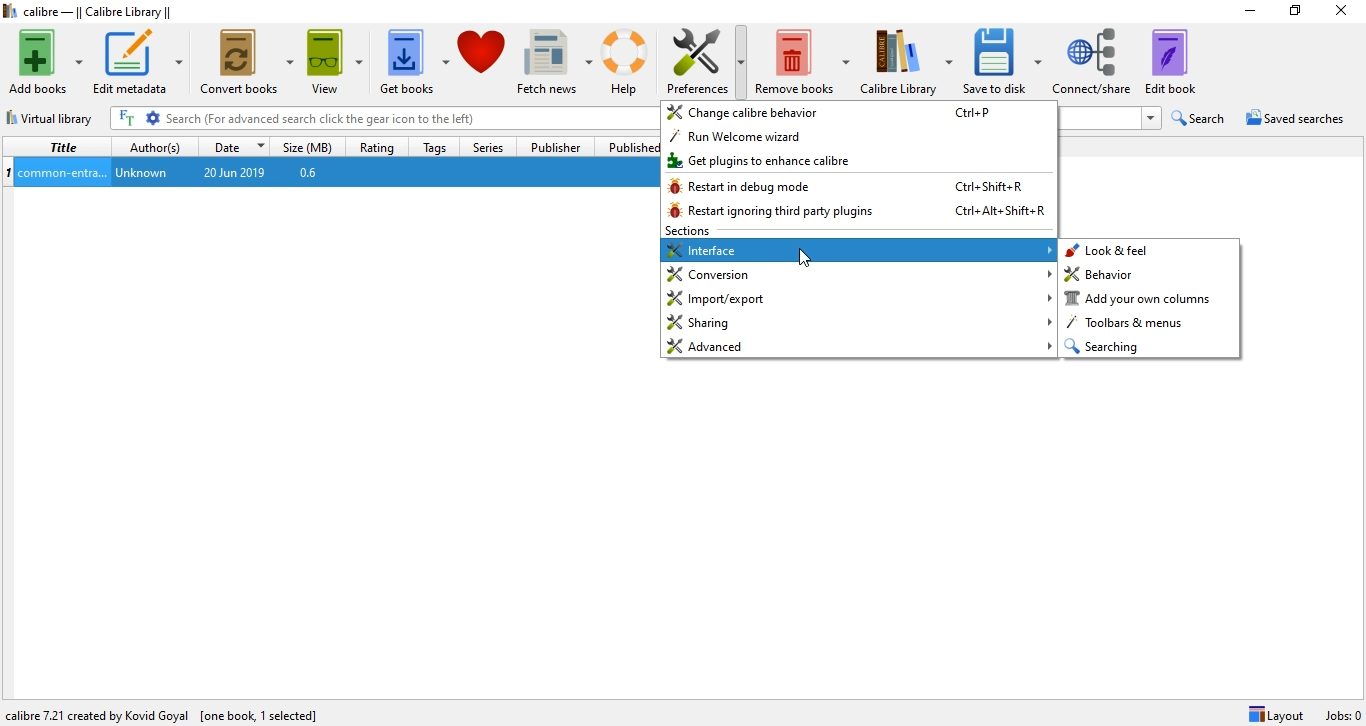  I want to click on calibre - || Calibre Library ||, so click(92, 12).